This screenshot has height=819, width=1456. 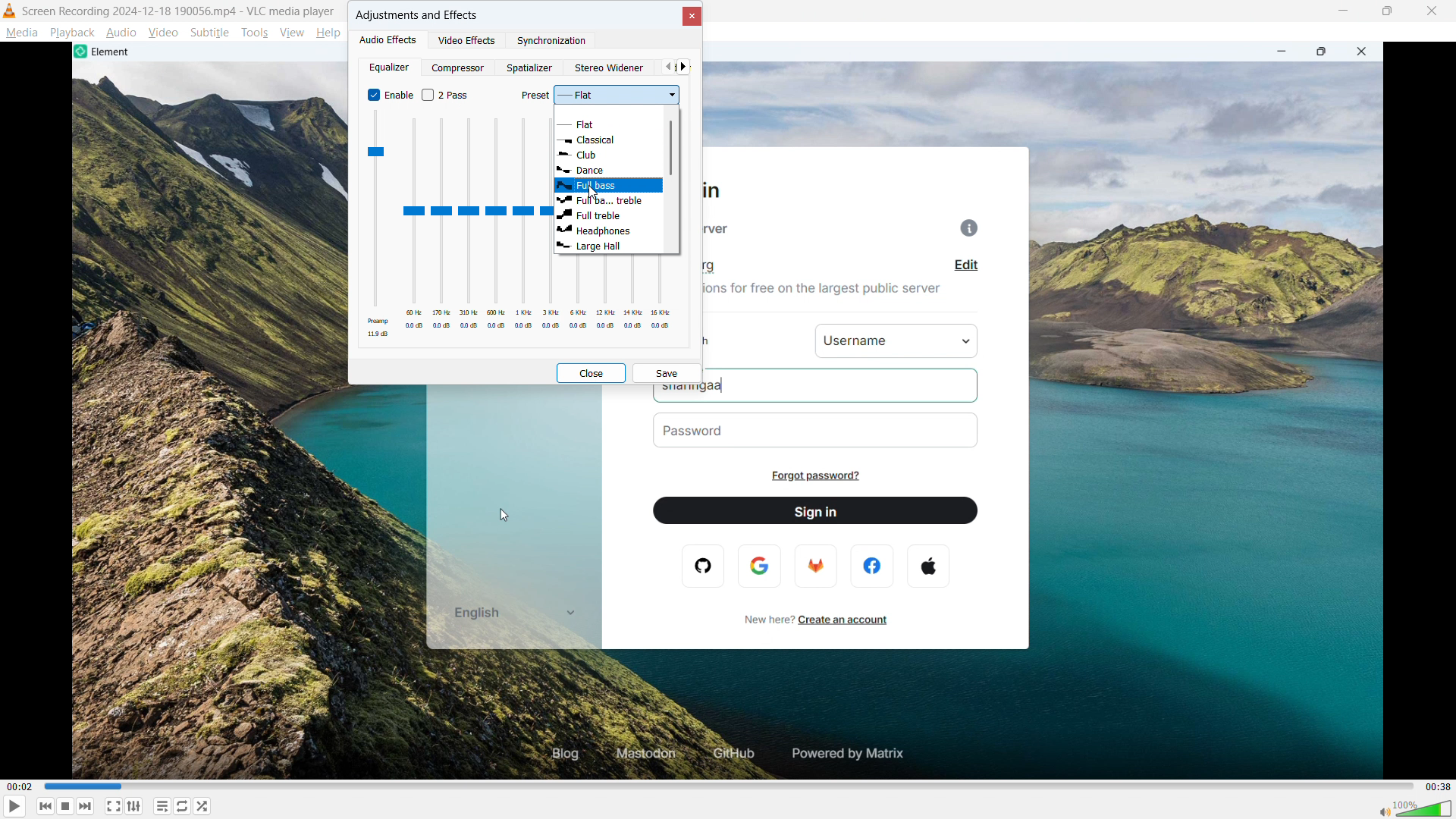 What do you see at coordinates (524, 225) in the screenshot?
I see `Adjust 1 kilohertz` at bounding box center [524, 225].